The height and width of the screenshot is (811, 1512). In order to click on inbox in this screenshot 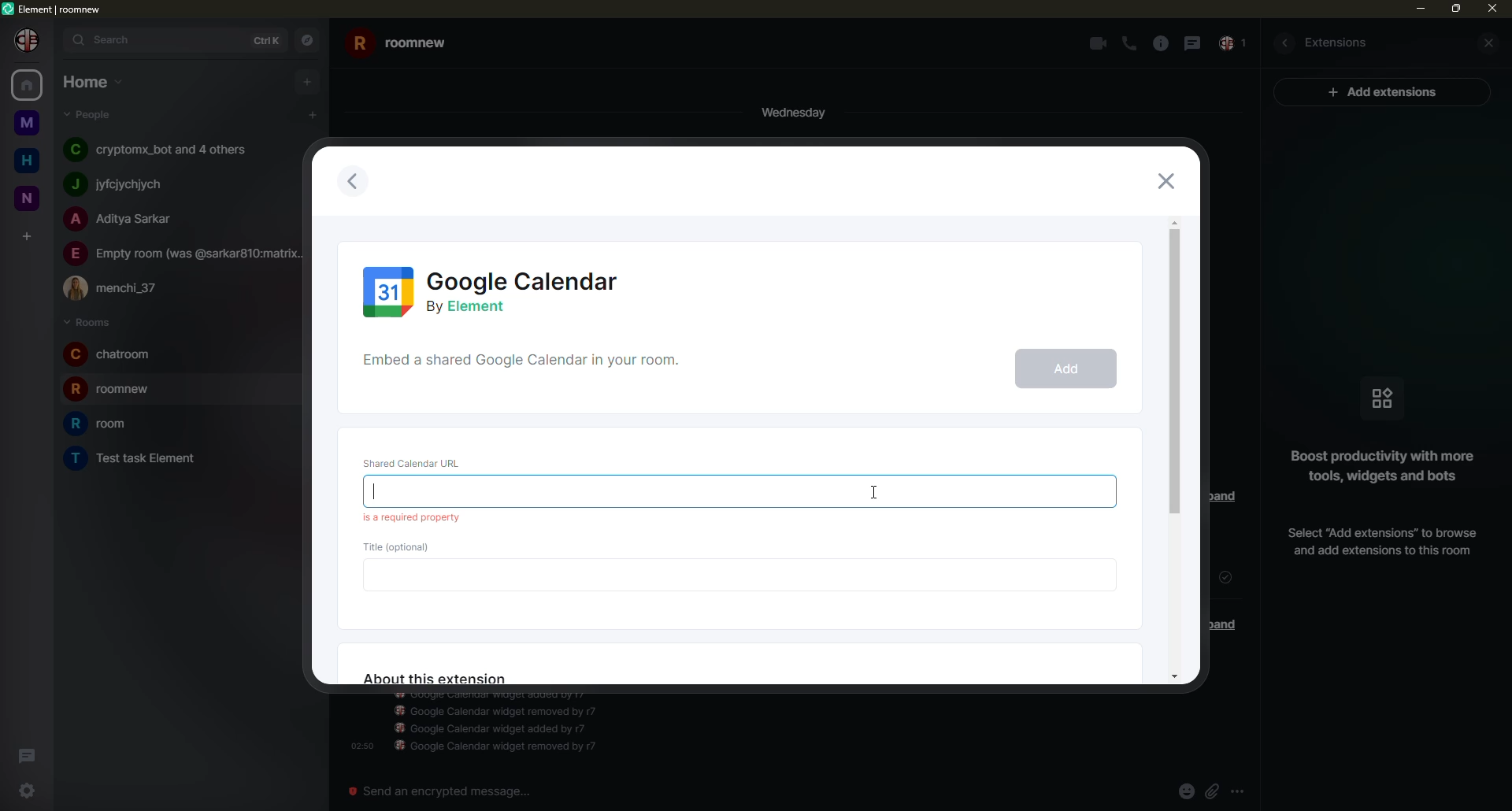, I will do `click(1235, 44)`.